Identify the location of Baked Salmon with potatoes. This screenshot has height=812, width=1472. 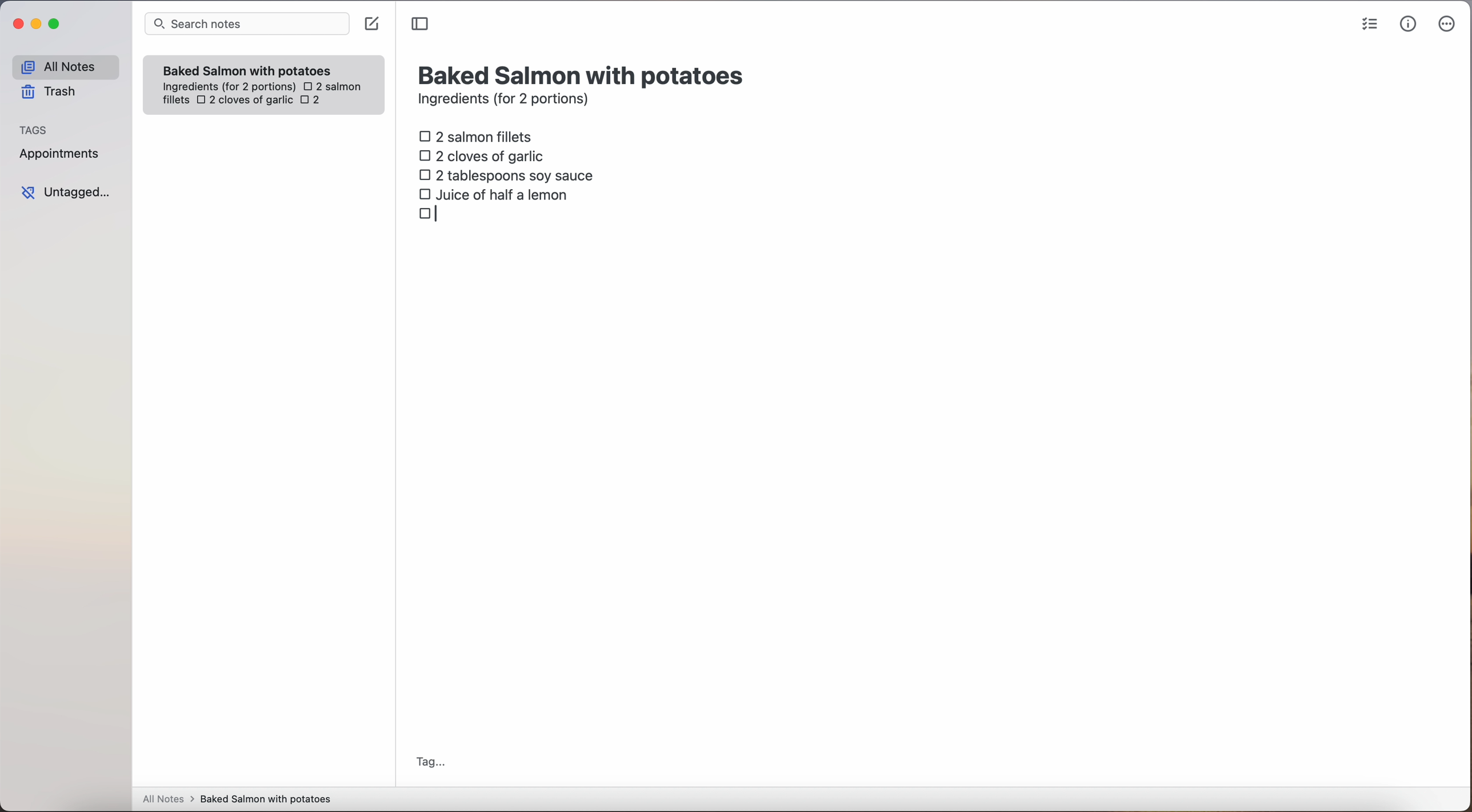
(247, 68).